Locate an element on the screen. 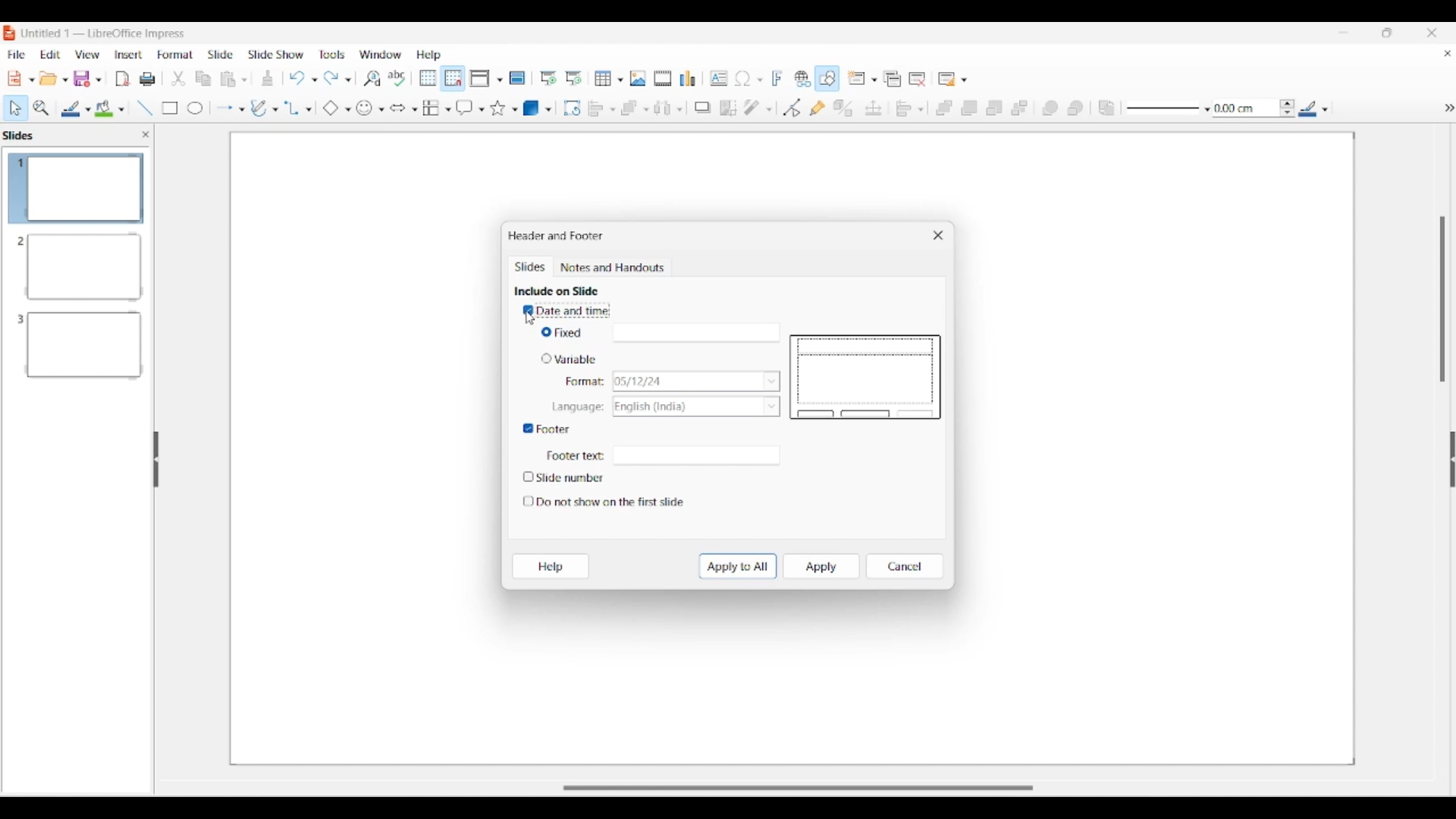 Image resolution: width=1456 pixels, height=819 pixels. Slide 1 is located at coordinates (73, 188).